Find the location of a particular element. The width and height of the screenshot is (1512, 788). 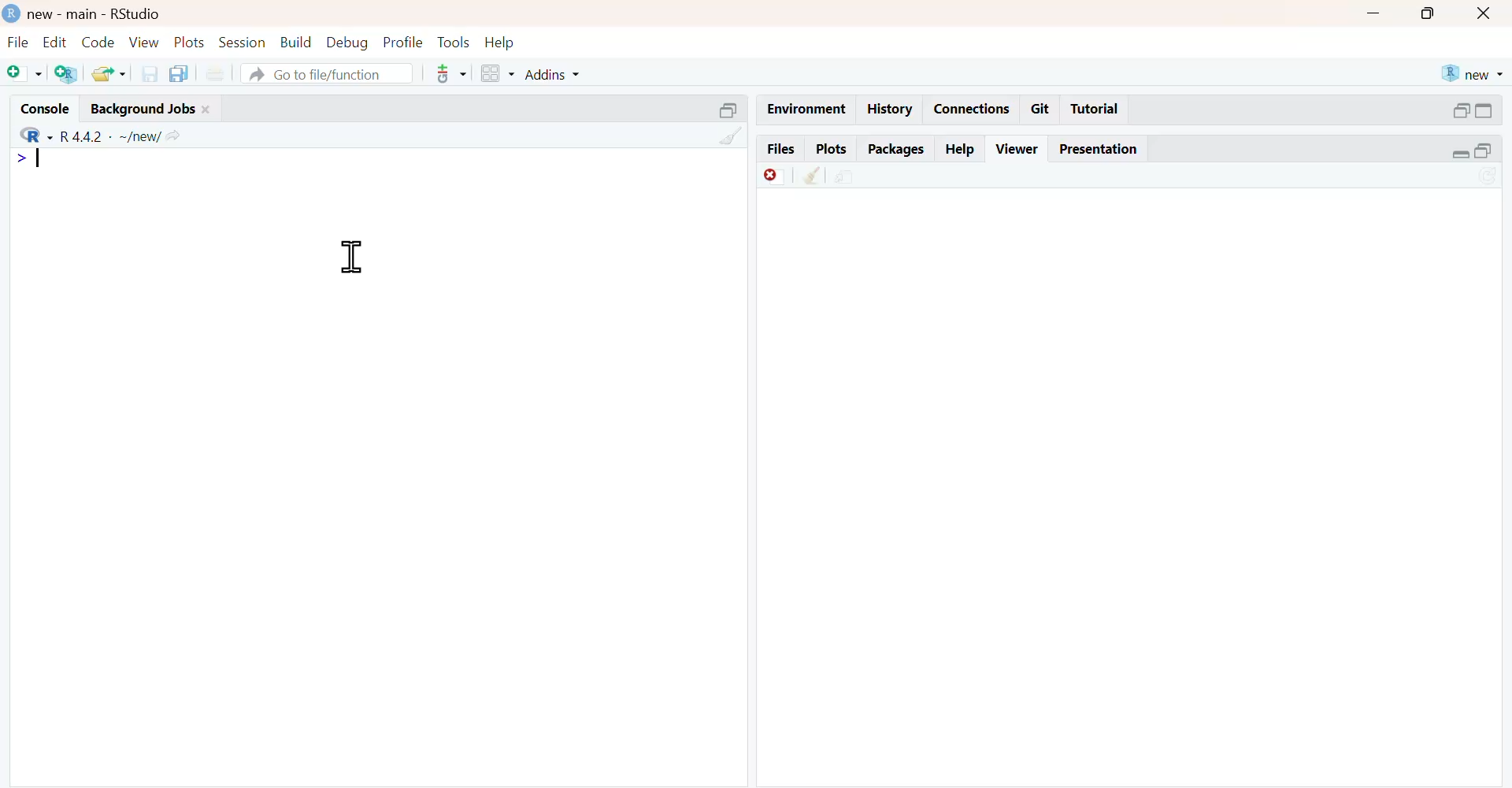

connections is located at coordinates (973, 110).